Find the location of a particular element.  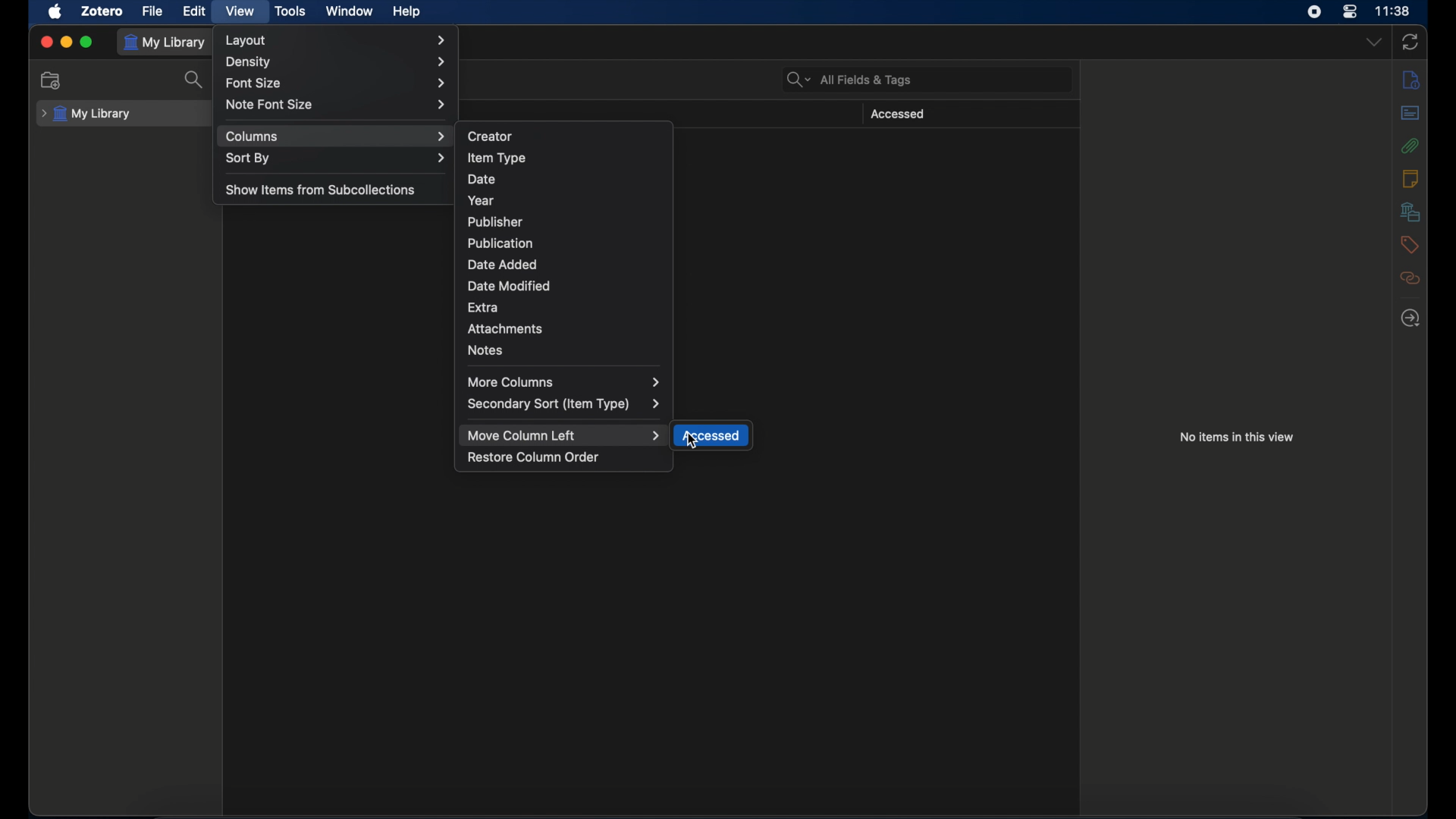

help is located at coordinates (408, 12).